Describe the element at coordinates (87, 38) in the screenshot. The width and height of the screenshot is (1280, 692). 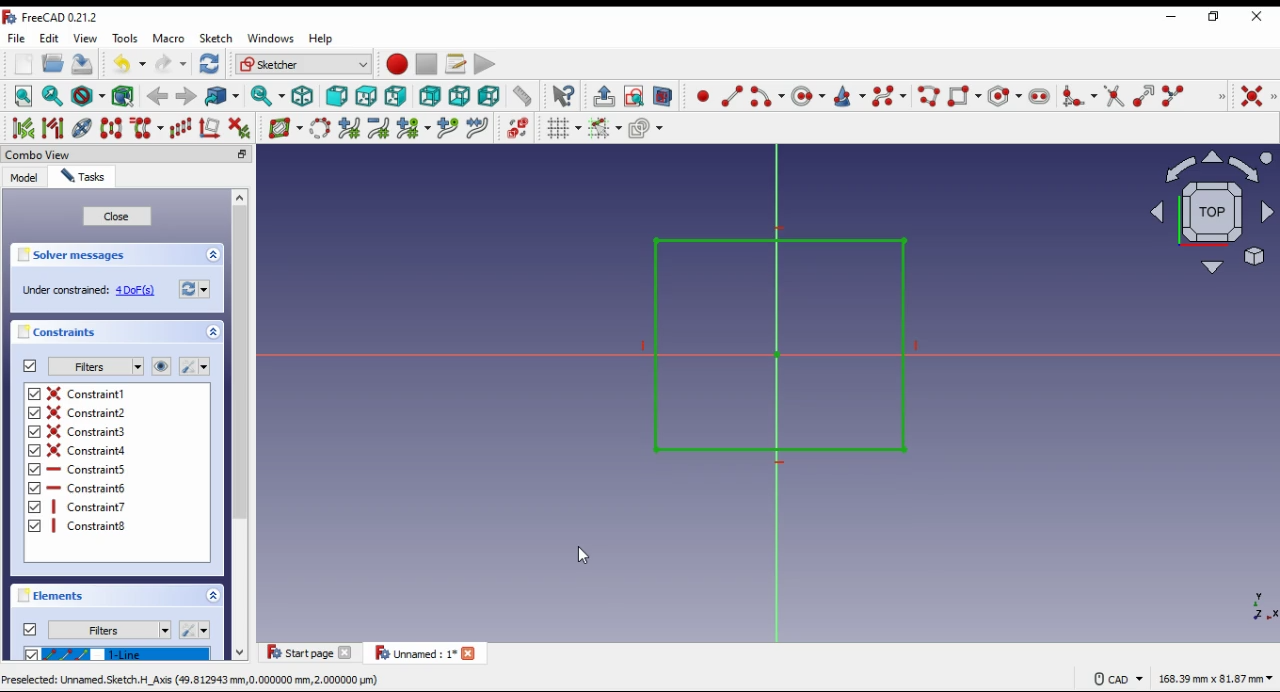
I see `view` at that location.